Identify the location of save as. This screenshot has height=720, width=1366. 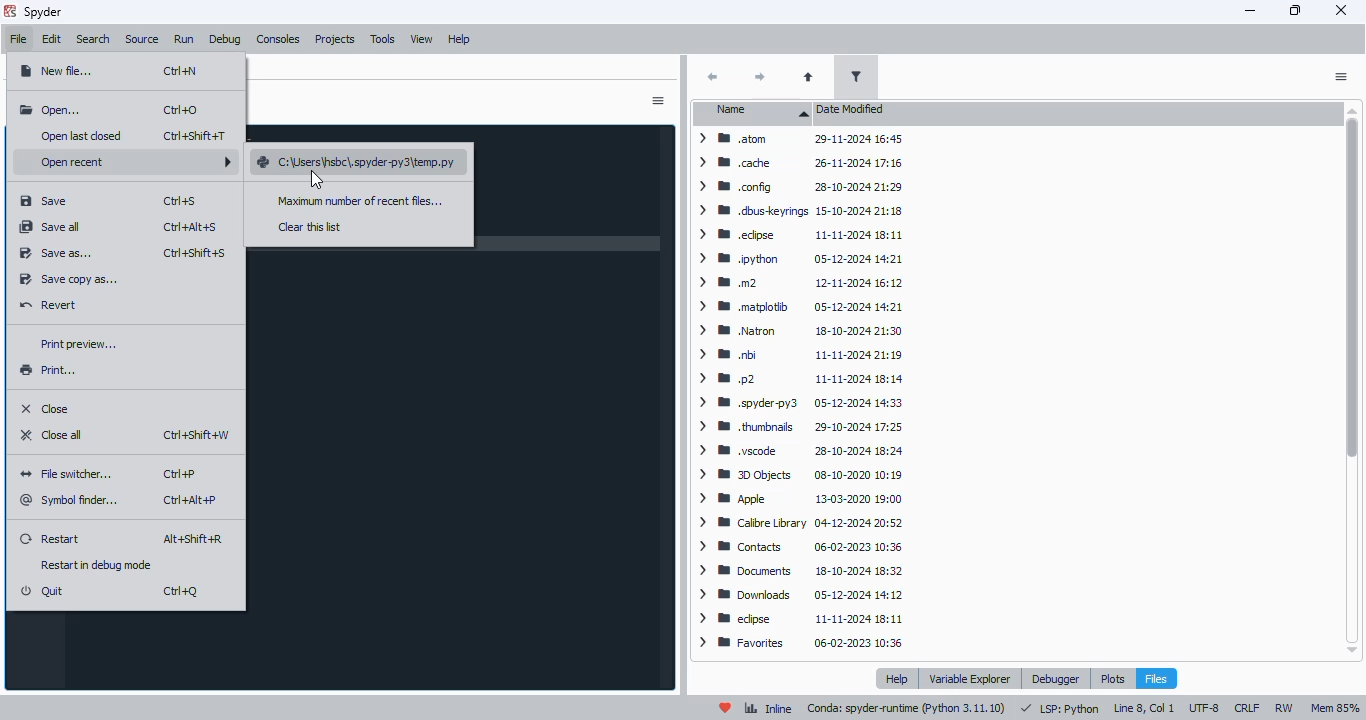
(55, 254).